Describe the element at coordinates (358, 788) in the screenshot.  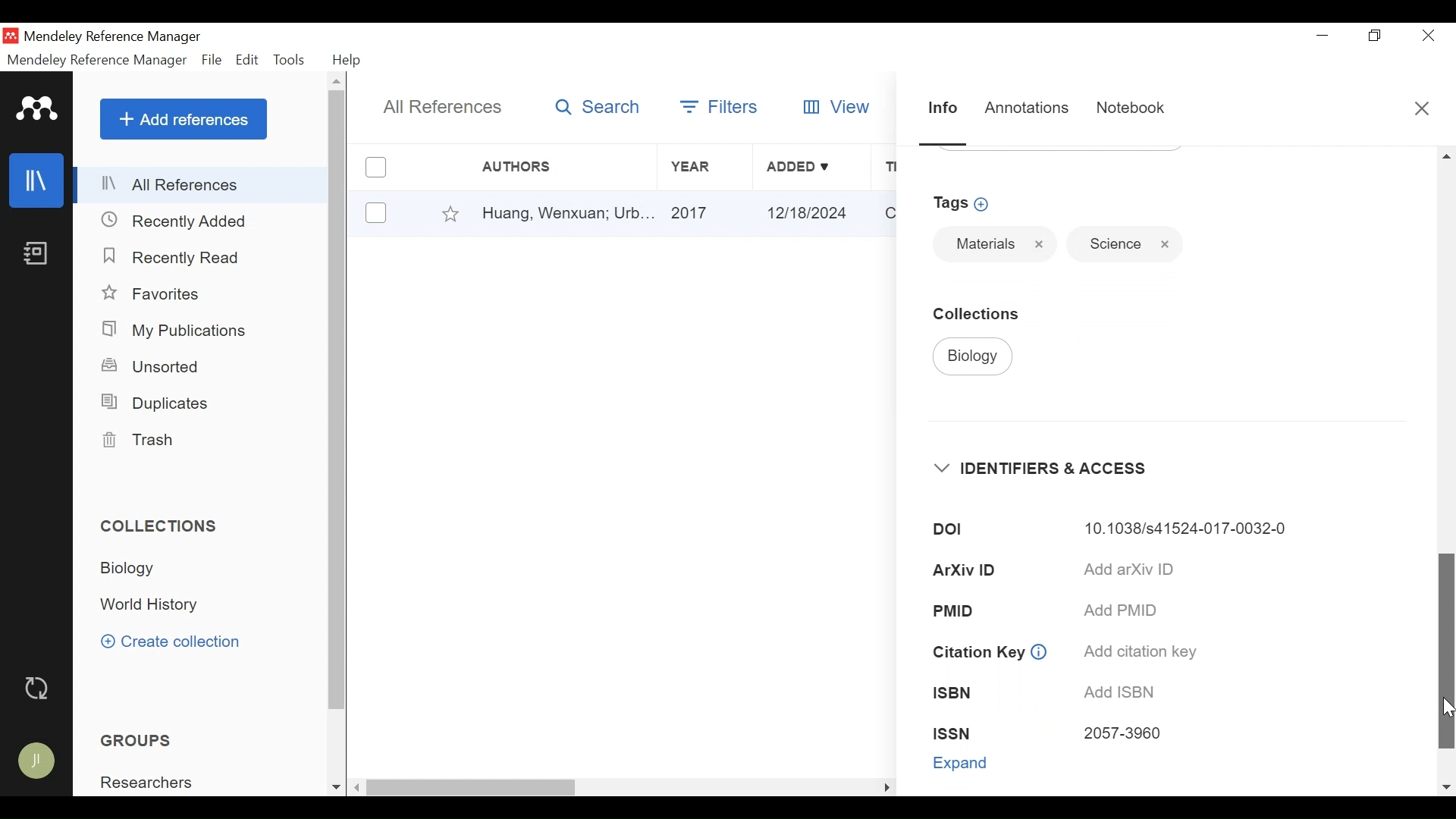
I see `Scroll Left` at that location.